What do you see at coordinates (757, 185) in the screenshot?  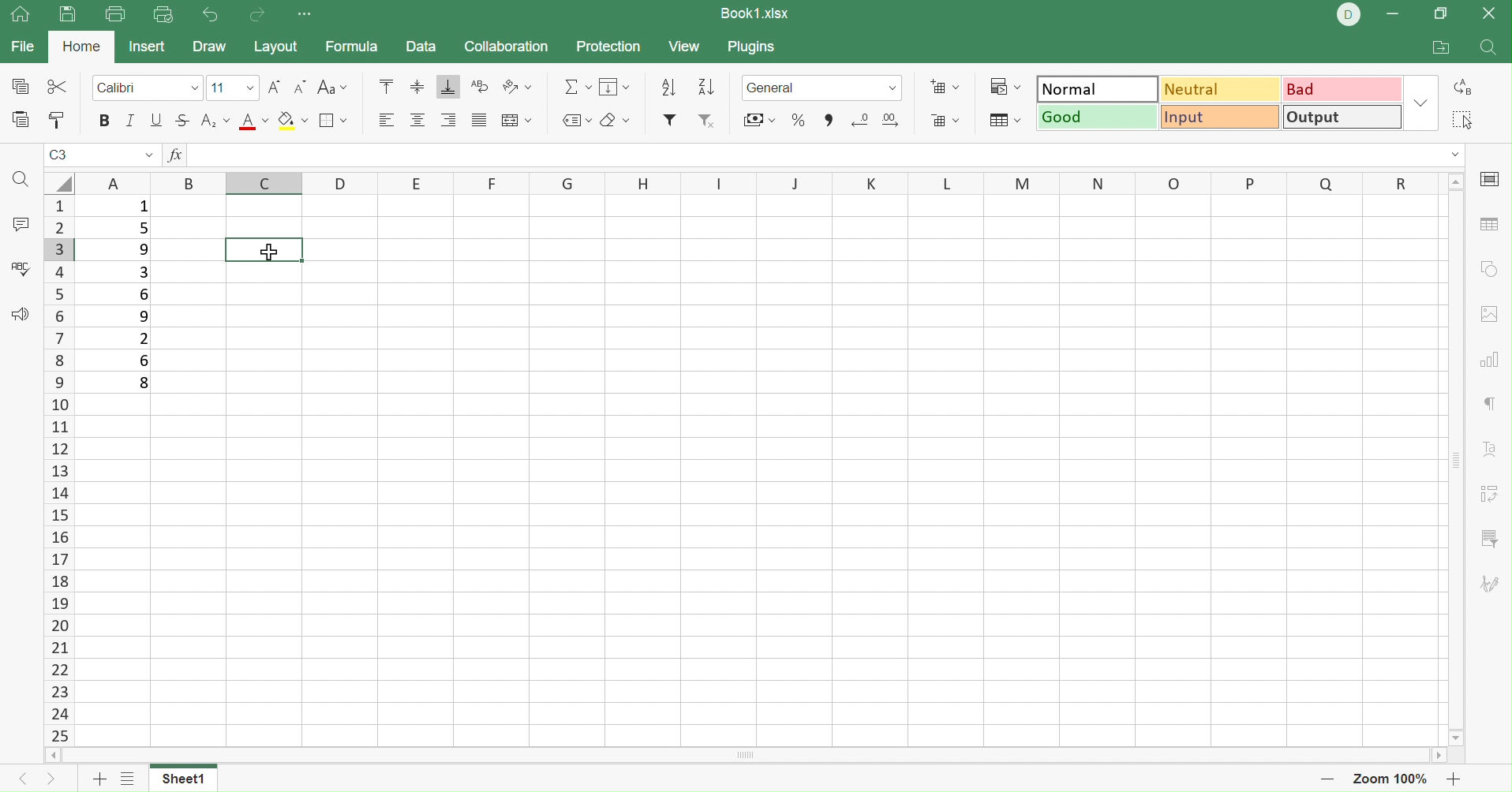 I see `Column names` at bounding box center [757, 185].